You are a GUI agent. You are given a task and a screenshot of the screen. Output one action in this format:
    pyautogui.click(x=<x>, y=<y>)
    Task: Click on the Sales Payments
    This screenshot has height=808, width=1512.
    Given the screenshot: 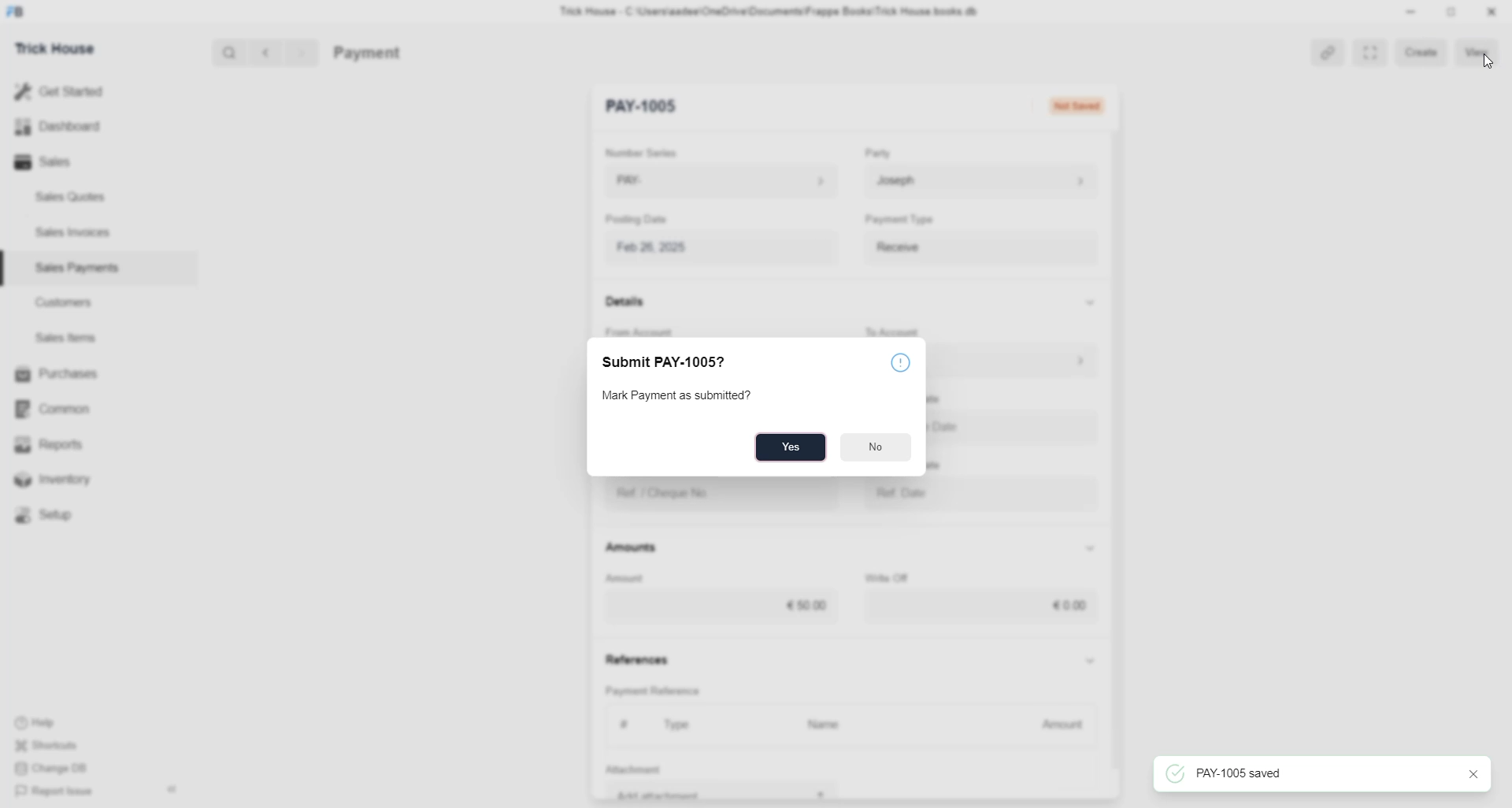 What is the action you would take?
    pyautogui.click(x=80, y=268)
    